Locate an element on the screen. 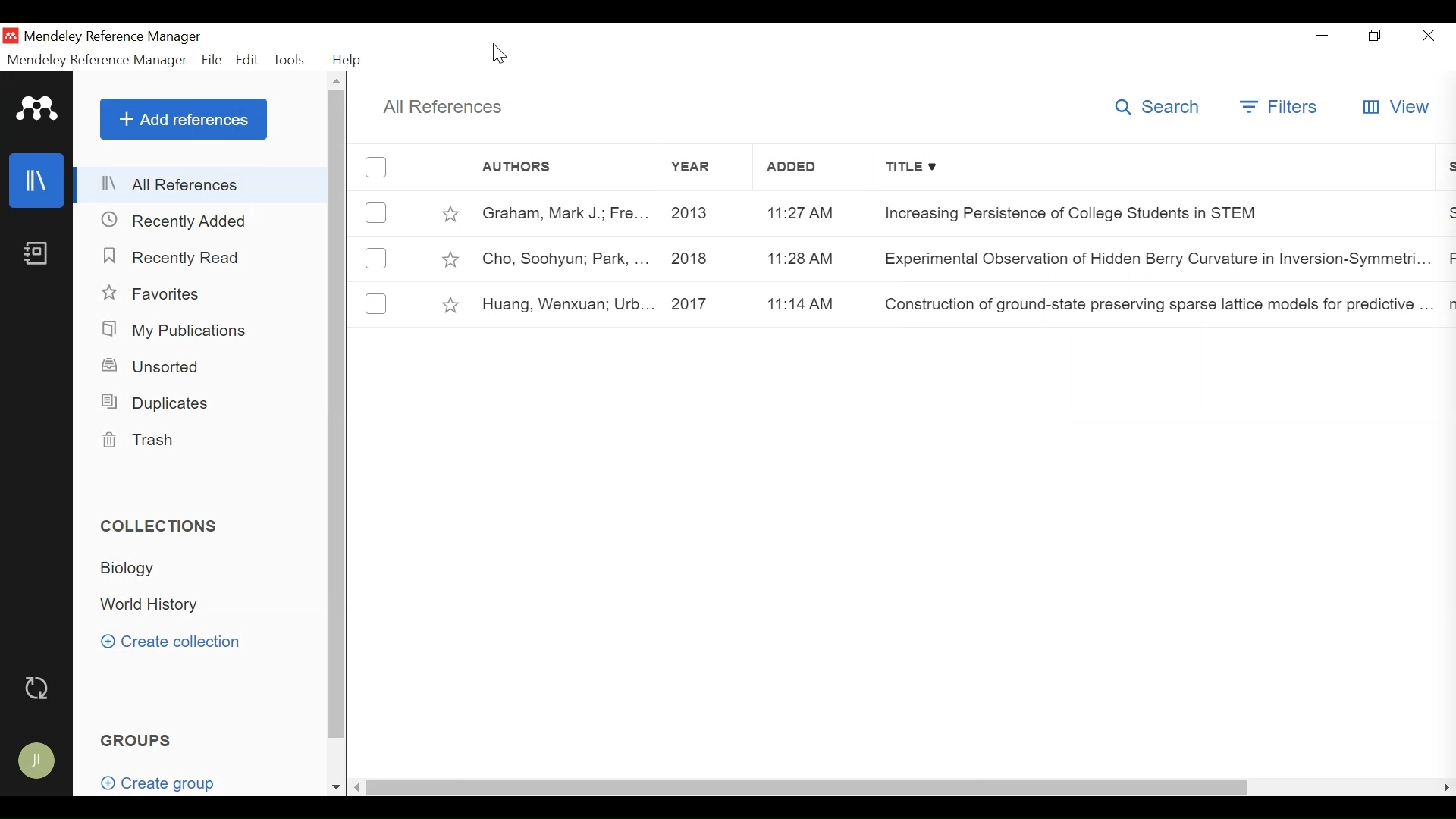 Image resolution: width=1456 pixels, height=819 pixels. Duplicates is located at coordinates (163, 403).